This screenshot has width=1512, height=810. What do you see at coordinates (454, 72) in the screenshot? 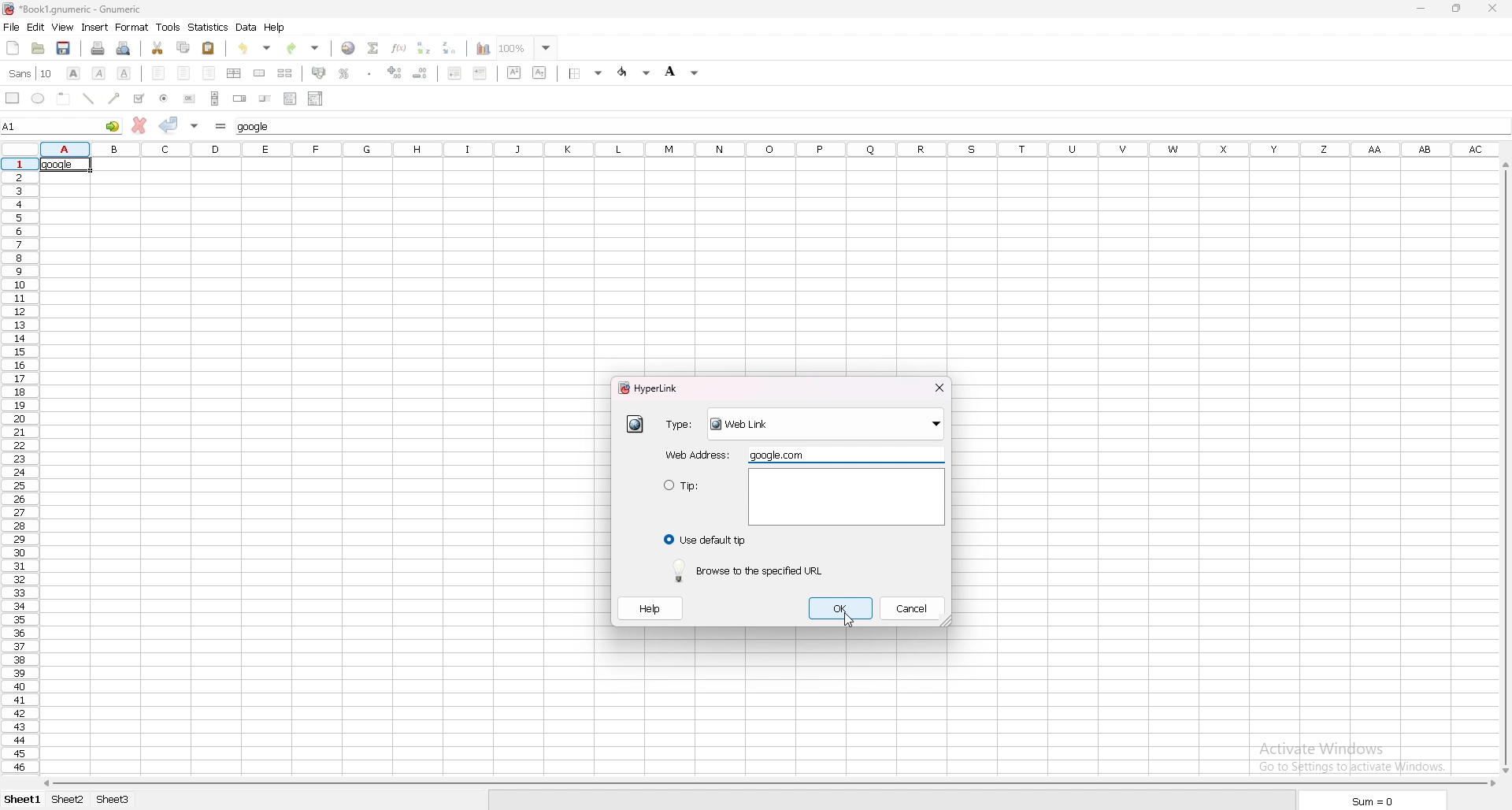
I see `decrease indent` at bounding box center [454, 72].